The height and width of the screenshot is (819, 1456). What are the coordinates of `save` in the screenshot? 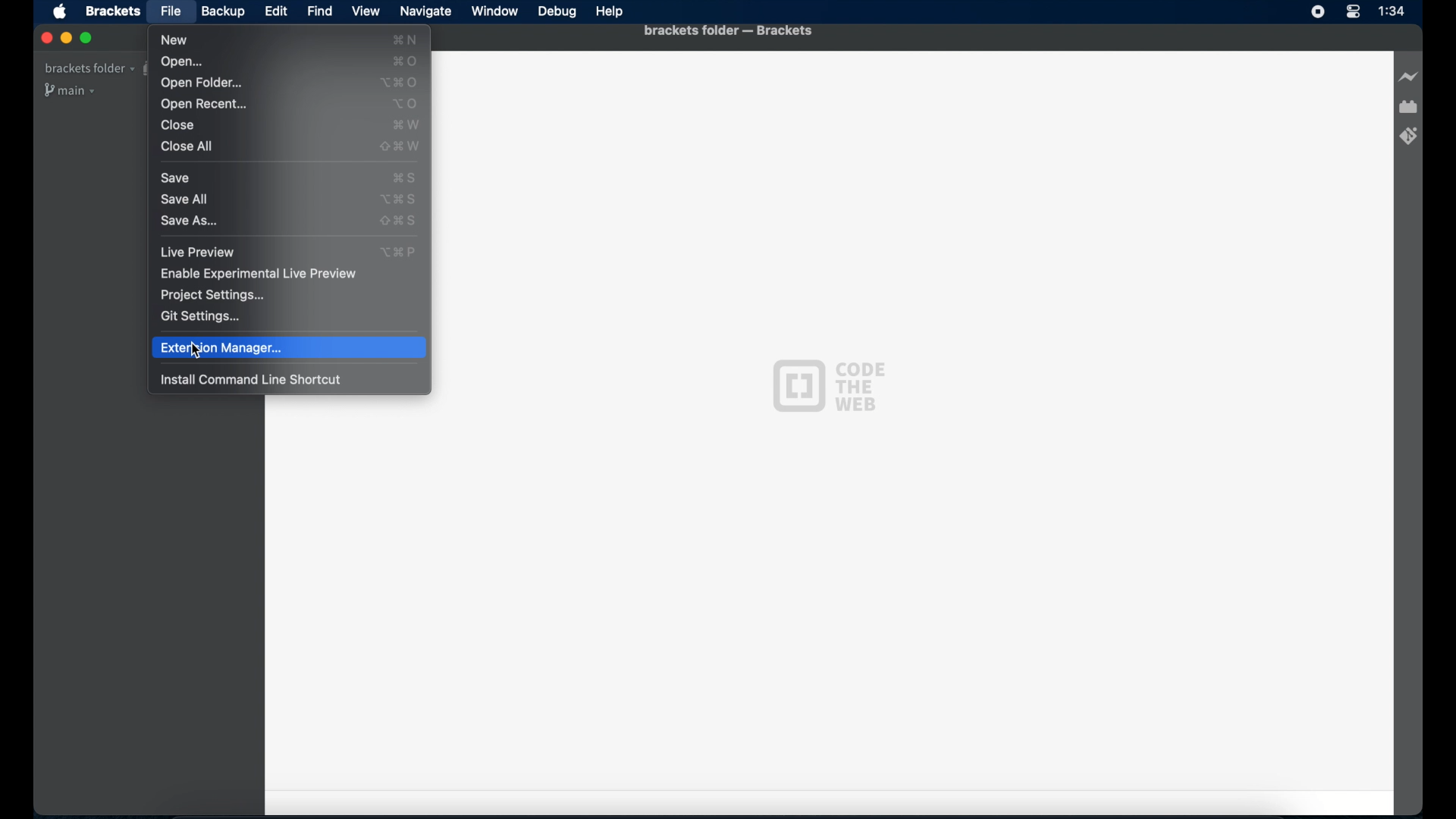 It's located at (177, 178).